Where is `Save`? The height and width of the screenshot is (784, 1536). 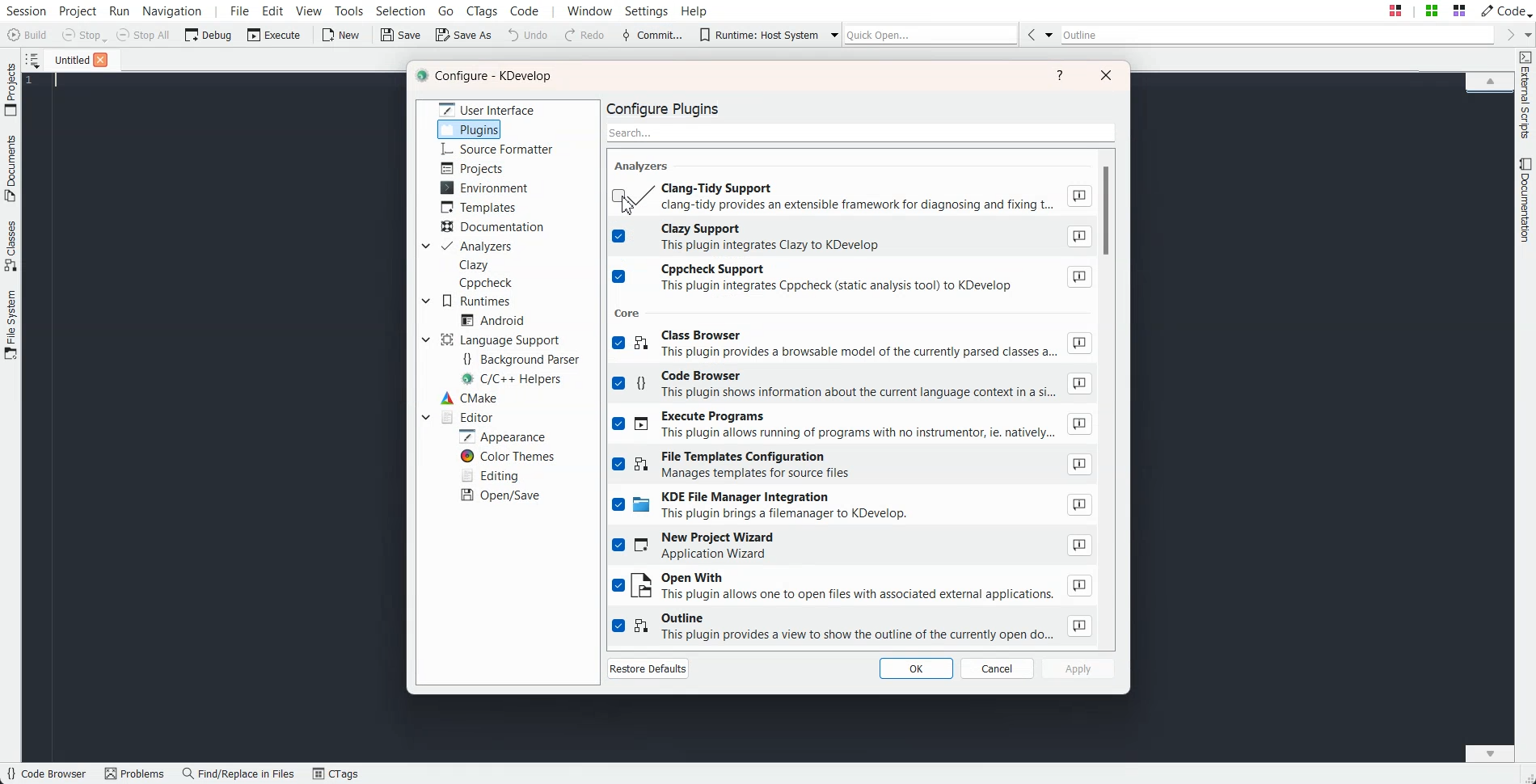
Save is located at coordinates (402, 35).